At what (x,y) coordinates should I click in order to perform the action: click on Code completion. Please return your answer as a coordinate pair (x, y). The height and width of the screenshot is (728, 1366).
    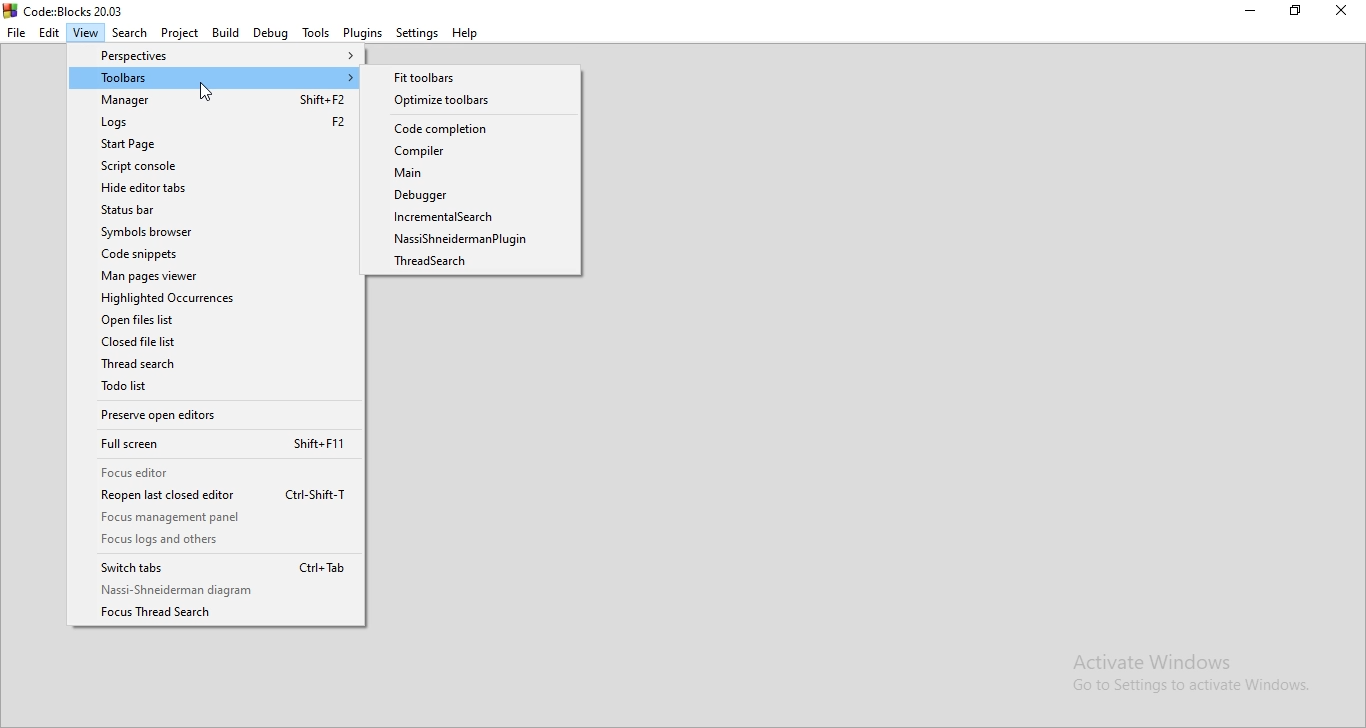
    Looking at the image, I should click on (470, 130).